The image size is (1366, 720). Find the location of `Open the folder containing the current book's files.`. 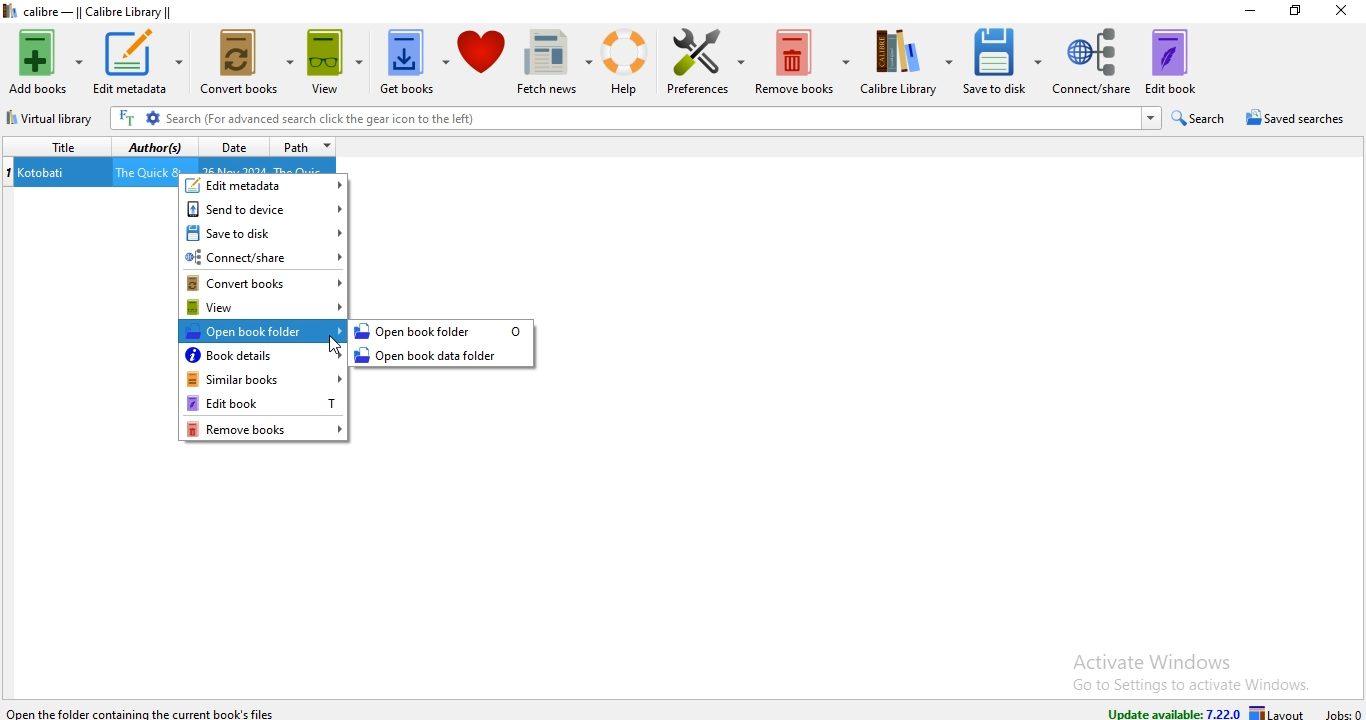

Open the folder containing the current book's files. is located at coordinates (148, 709).